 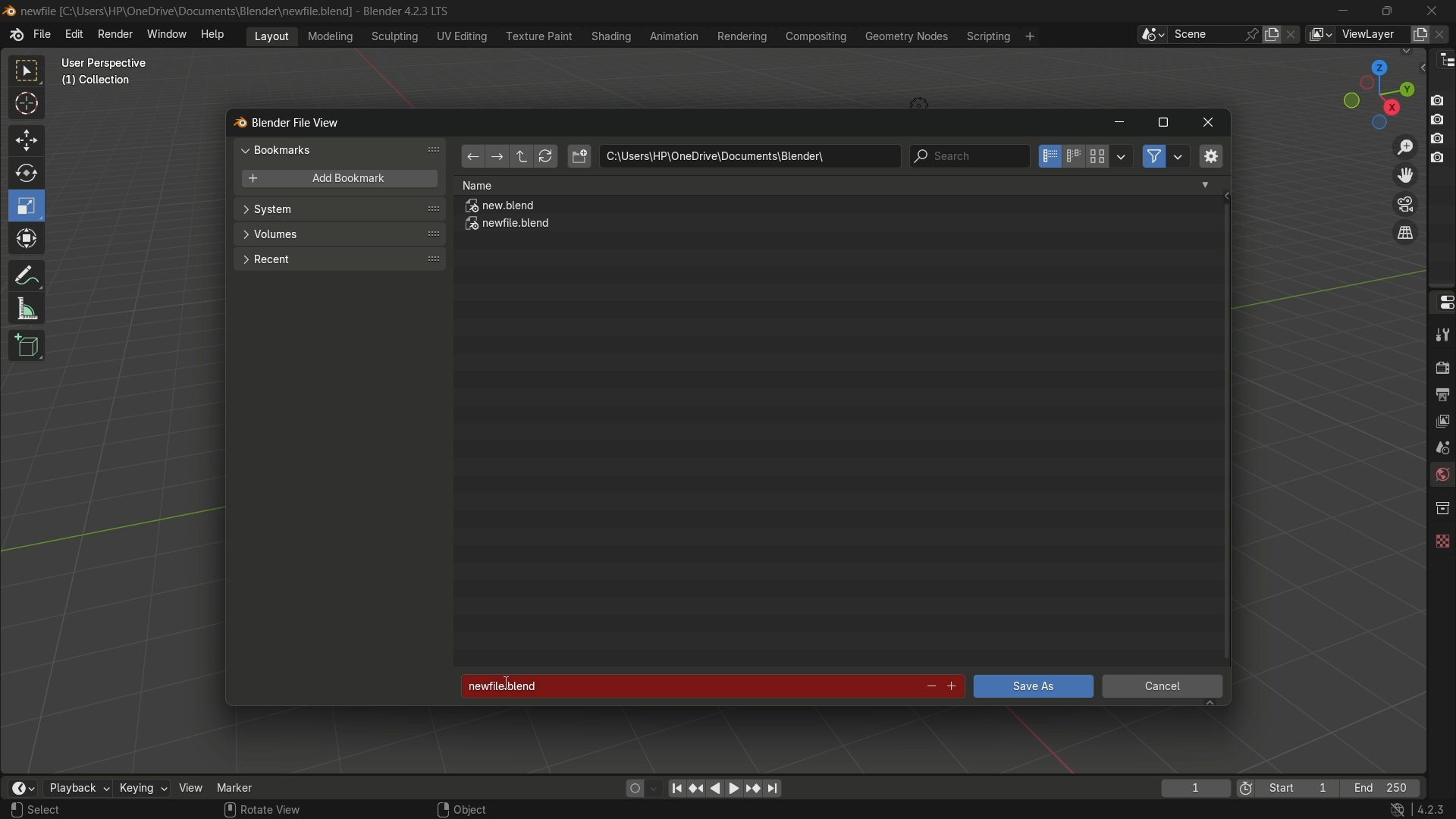 What do you see at coordinates (338, 234) in the screenshot?
I see `volumes` at bounding box center [338, 234].